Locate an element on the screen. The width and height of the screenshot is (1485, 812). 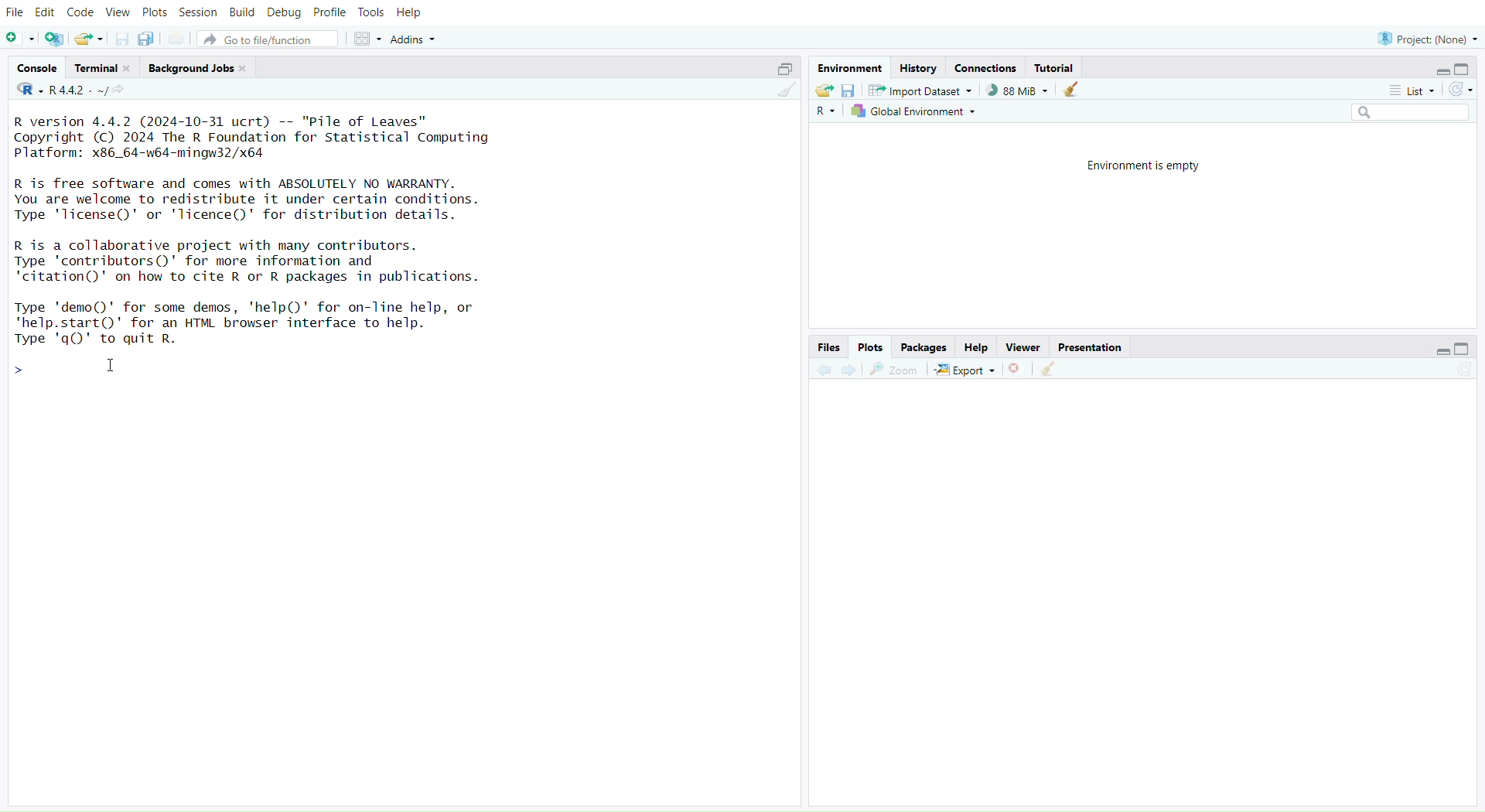
environment is located at coordinates (847, 68).